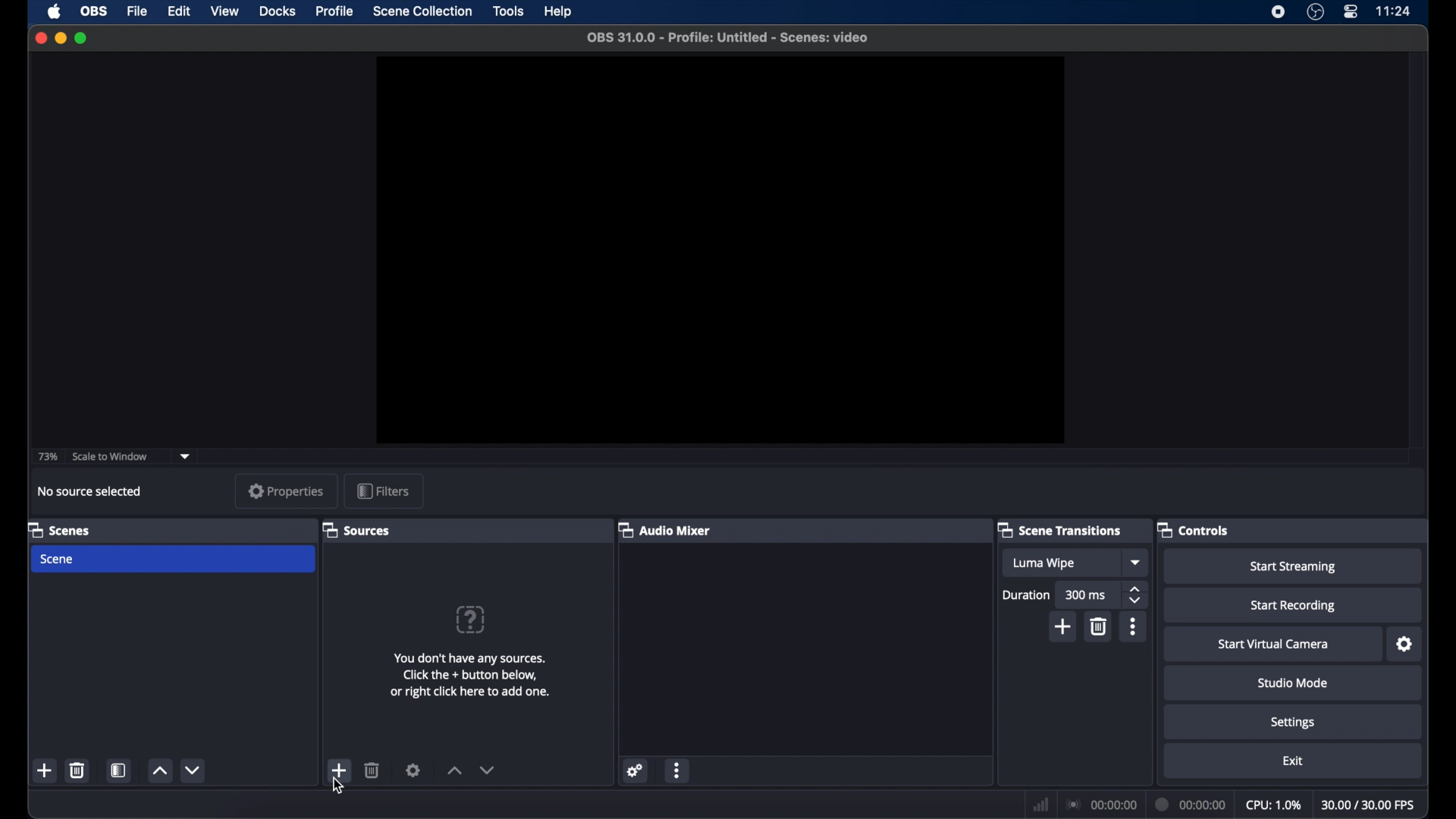 The image size is (1456, 819). What do you see at coordinates (1025, 595) in the screenshot?
I see `duration` at bounding box center [1025, 595].